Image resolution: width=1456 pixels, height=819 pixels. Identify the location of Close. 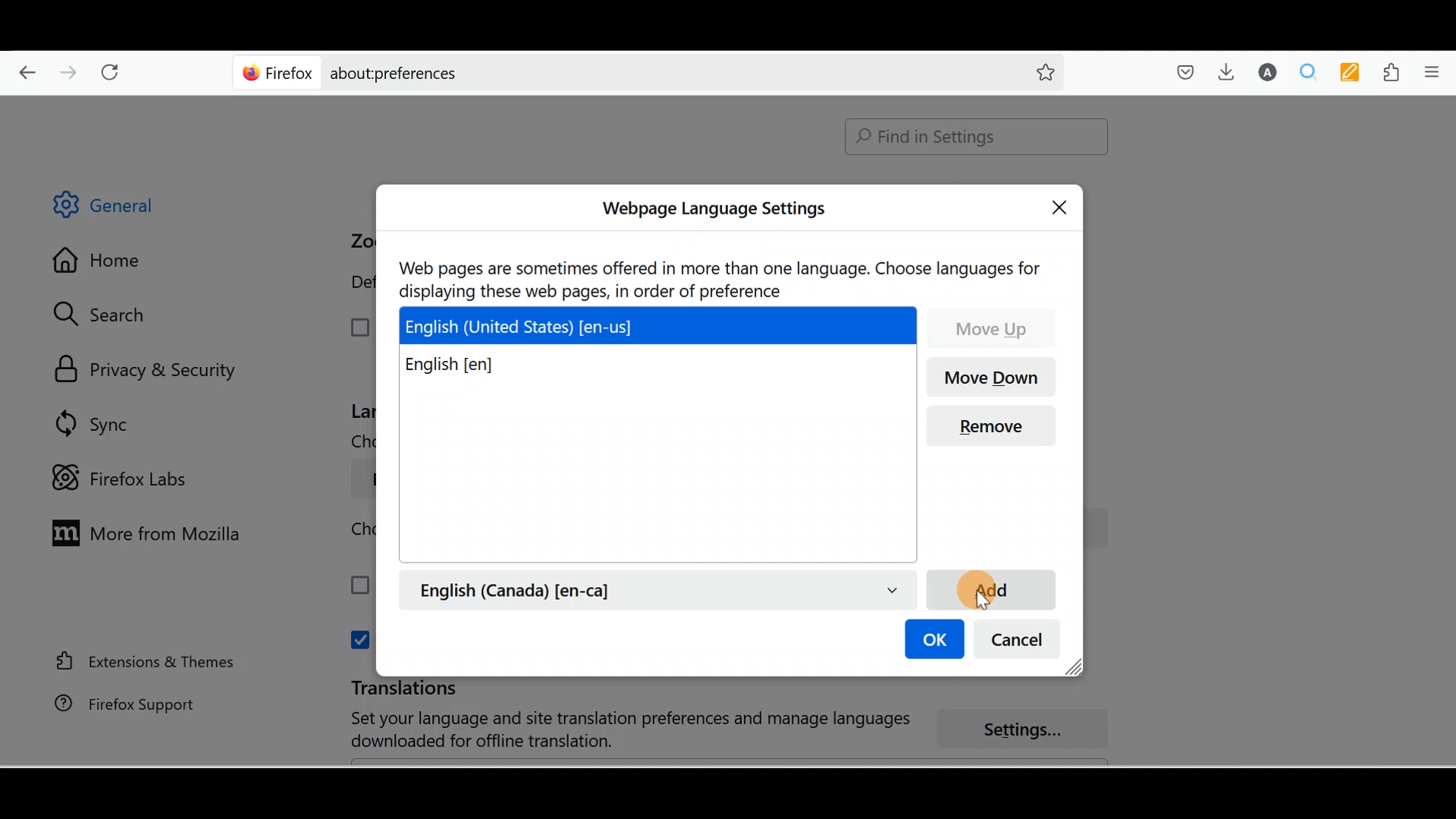
(1063, 205).